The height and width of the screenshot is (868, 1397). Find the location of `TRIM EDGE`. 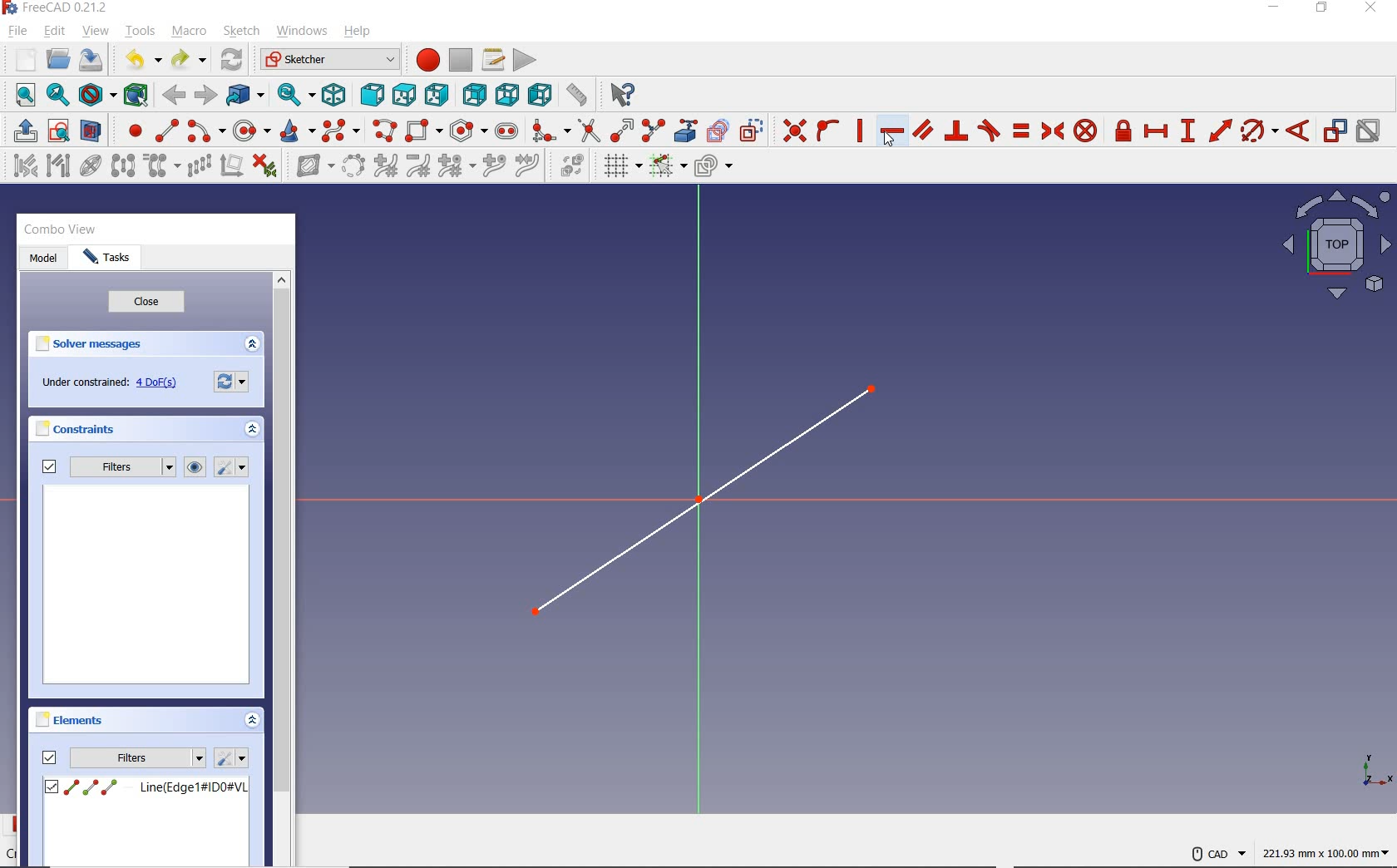

TRIM EDGE is located at coordinates (587, 130).